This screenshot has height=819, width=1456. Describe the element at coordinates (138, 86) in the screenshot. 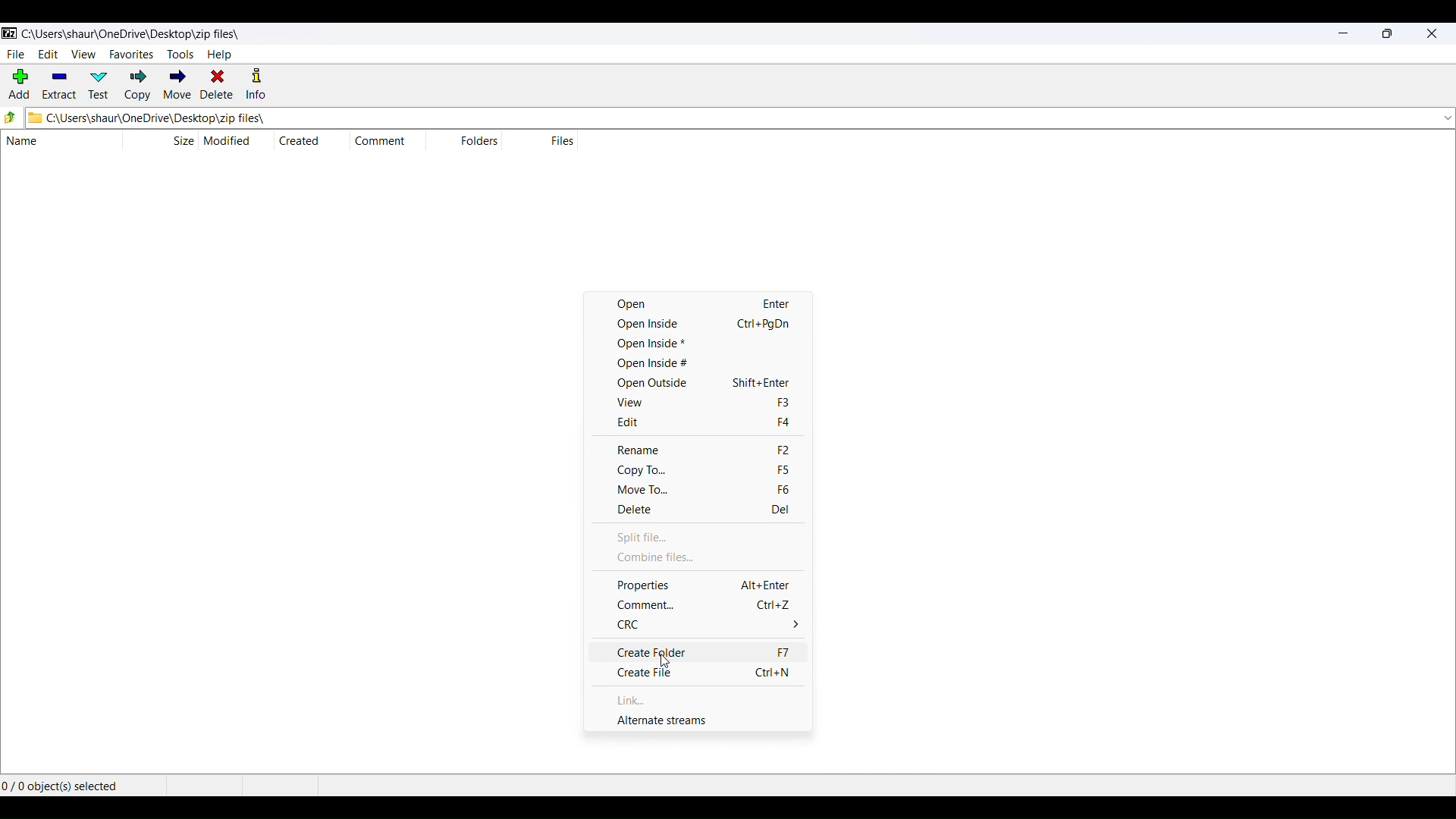

I see `COPY` at that location.